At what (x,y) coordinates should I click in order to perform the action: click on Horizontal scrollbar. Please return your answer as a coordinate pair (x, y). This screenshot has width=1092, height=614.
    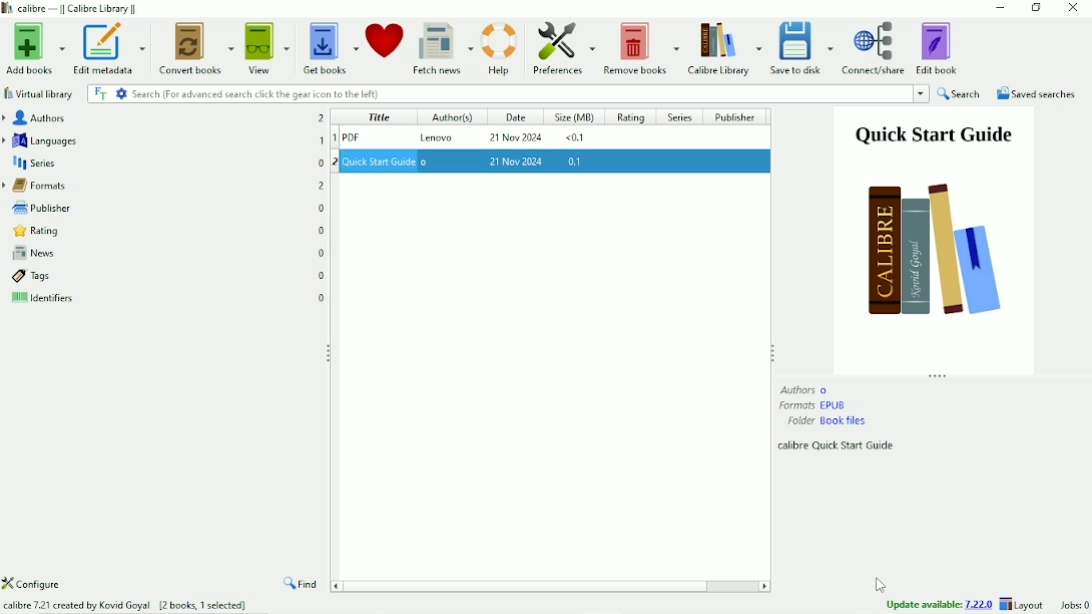
    Looking at the image, I should click on (532, 585).